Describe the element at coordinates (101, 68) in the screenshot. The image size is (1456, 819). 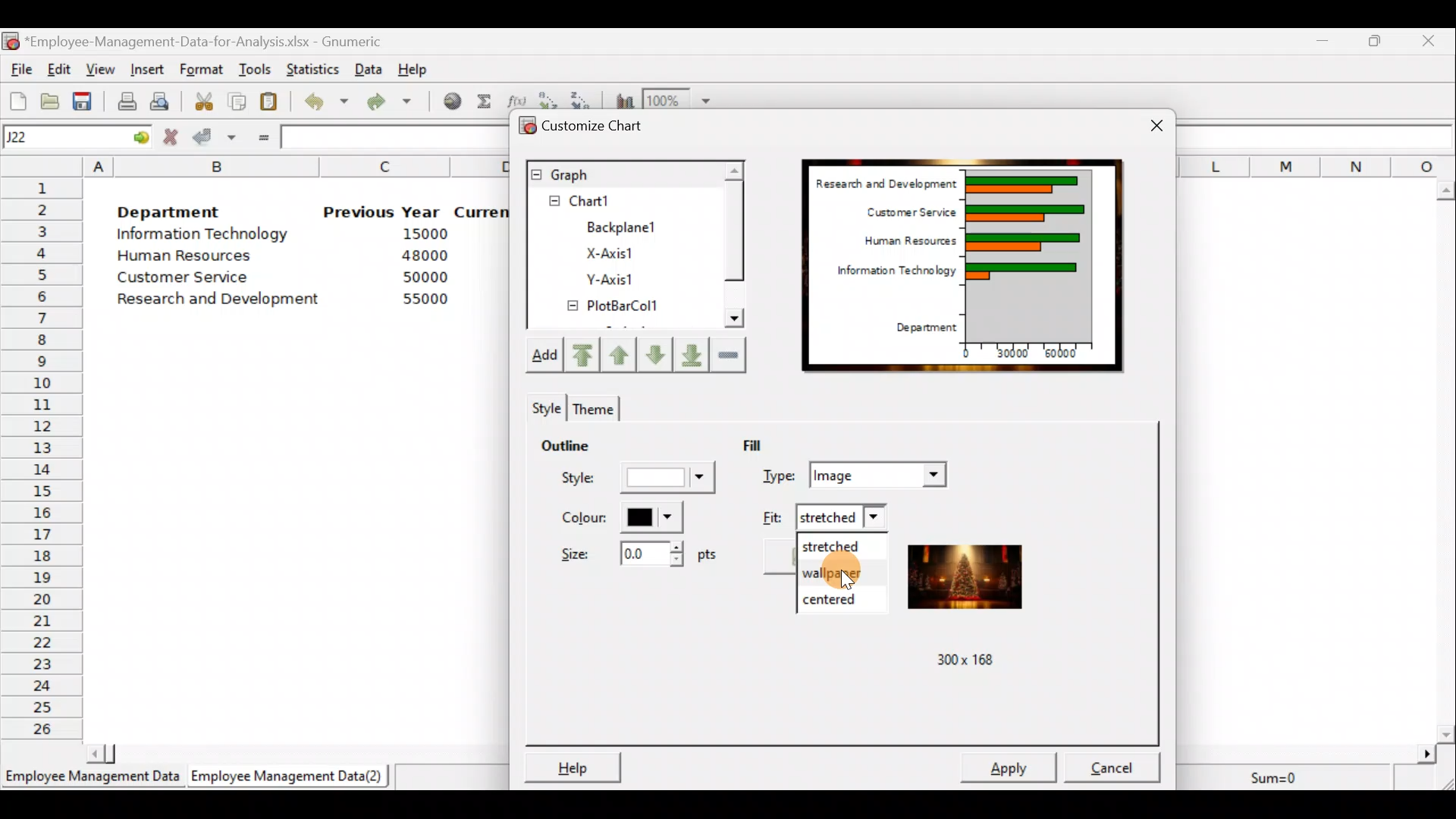
I see `View` at that location.